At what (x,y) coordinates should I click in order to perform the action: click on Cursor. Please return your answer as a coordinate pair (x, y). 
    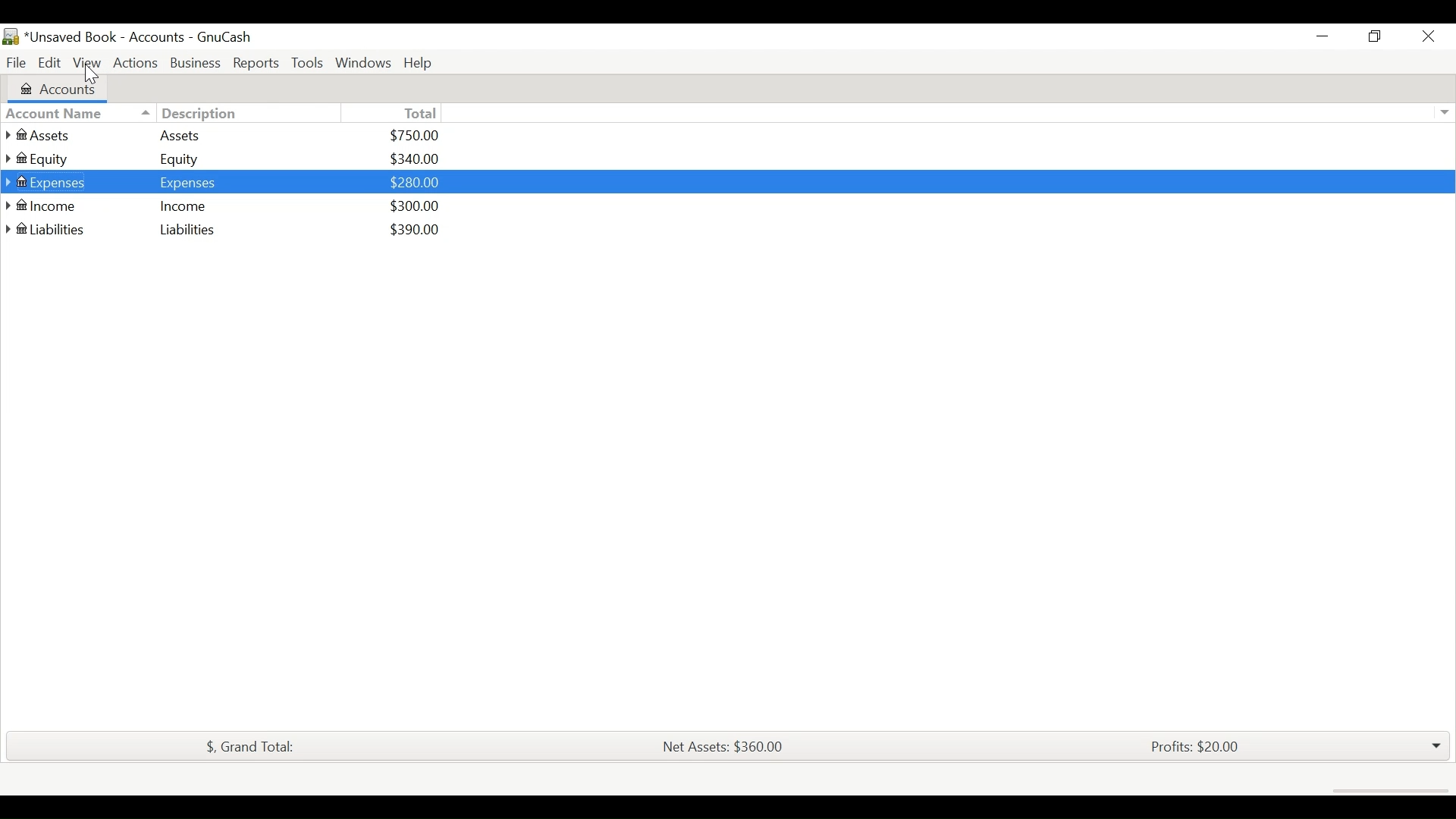
    Looking at the image, I should click on (93, 77).